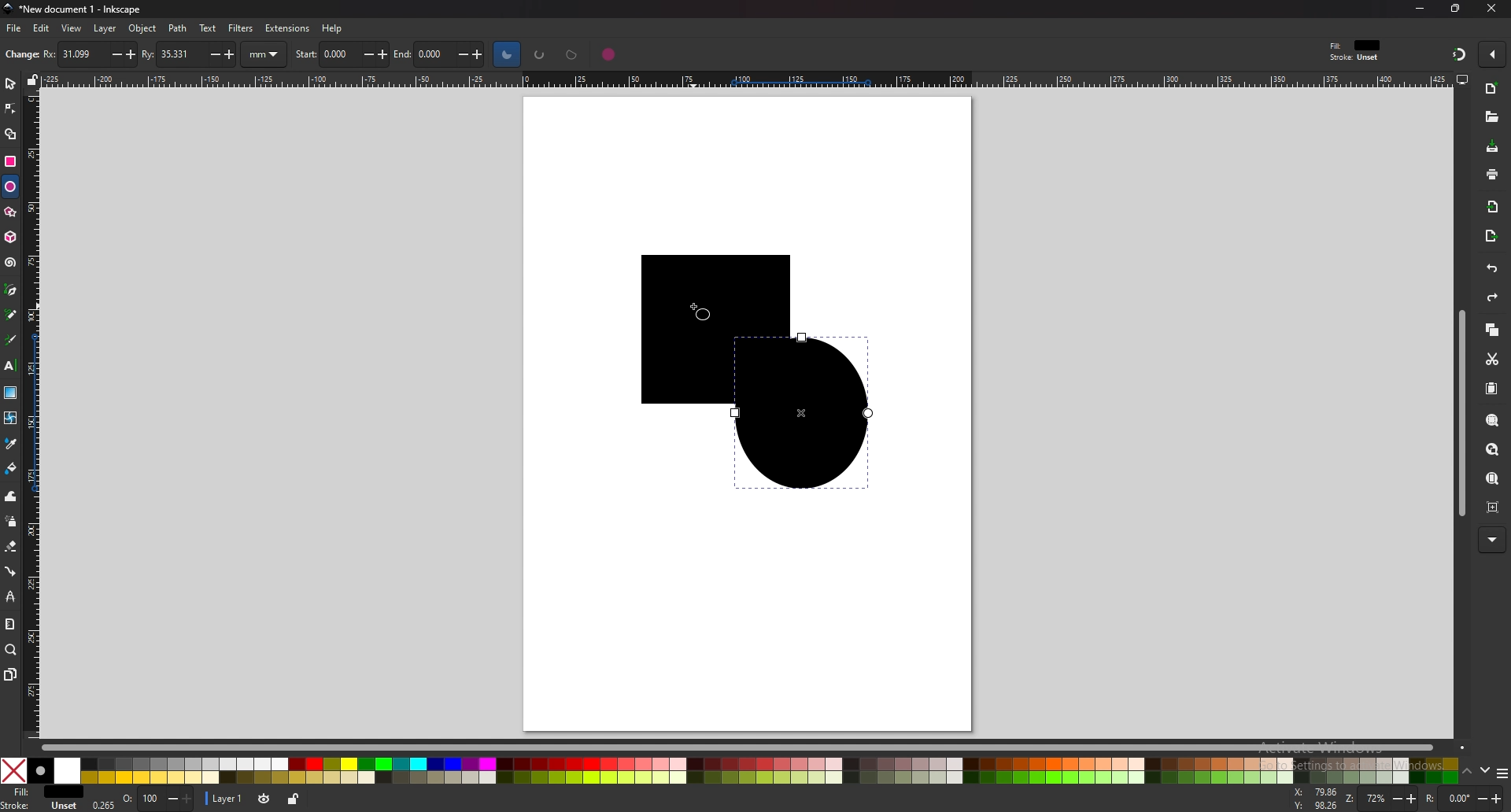 This screenshot has width=1511, height=812. I want to click on shapes, so click(737, 372).